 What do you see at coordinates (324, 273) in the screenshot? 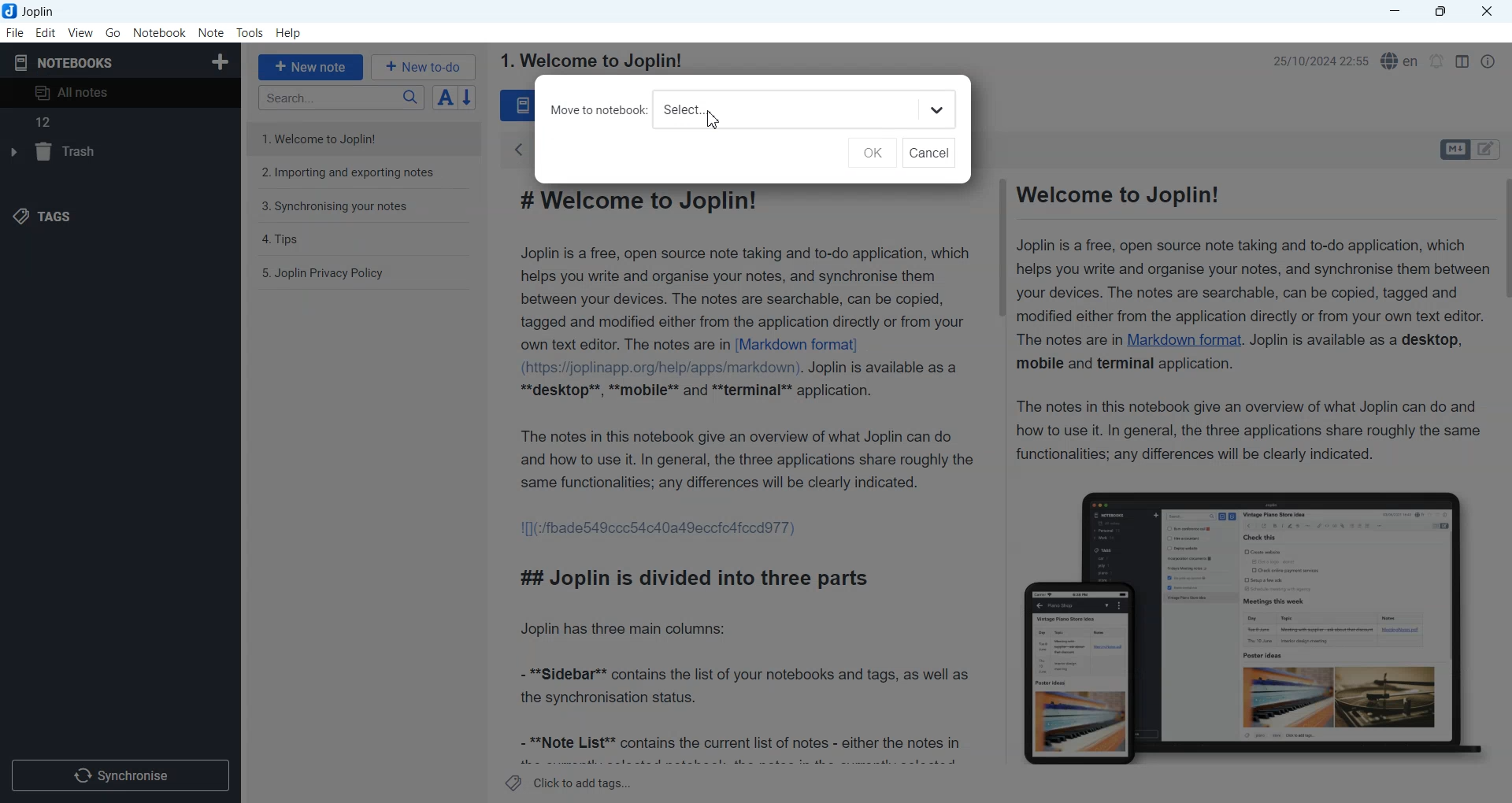
I see `5. Joplin Privacy Policy` at bounding box center [324, 273].